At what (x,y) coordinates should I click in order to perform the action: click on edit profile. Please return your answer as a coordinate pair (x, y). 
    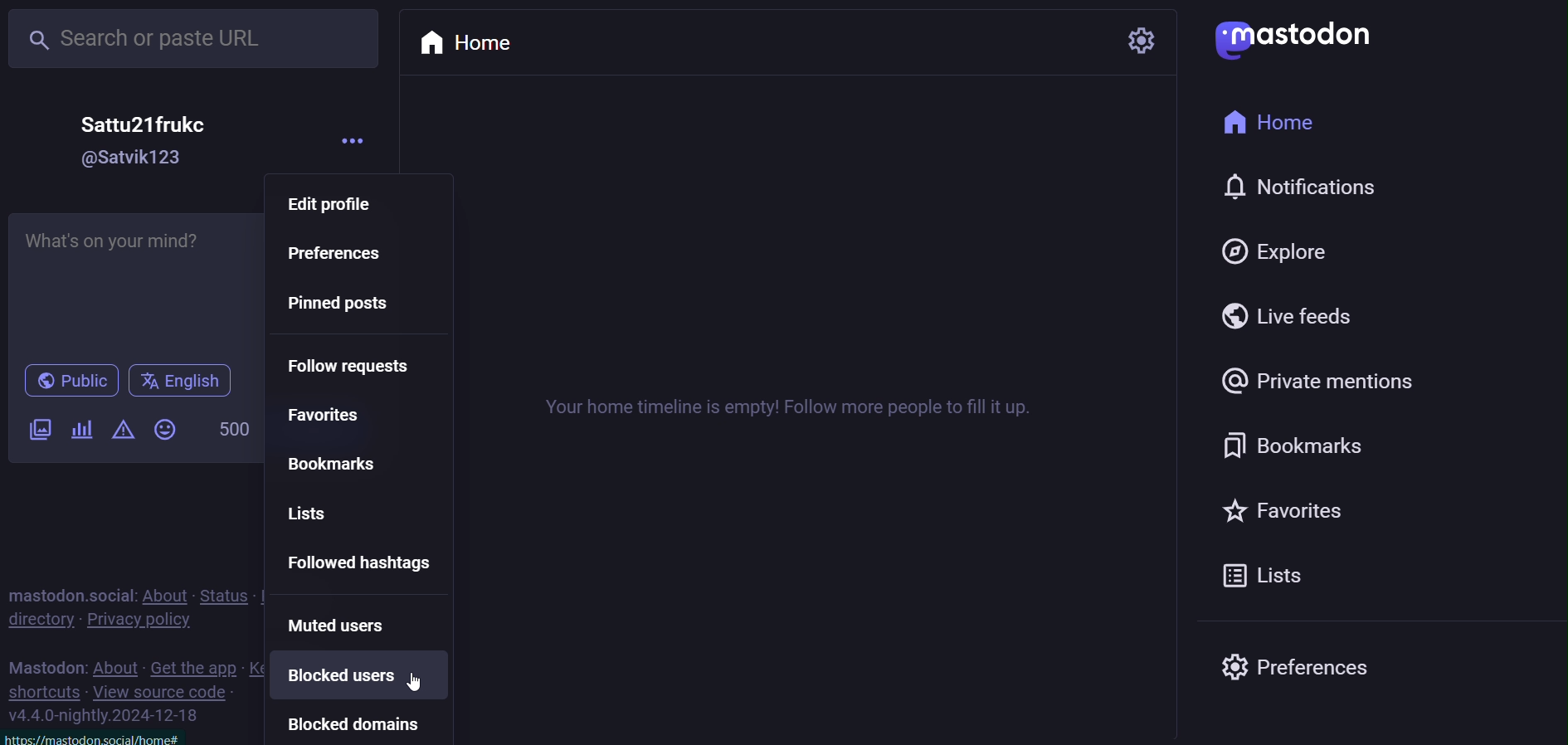
    Looking at the image, I should click on (342, 205).